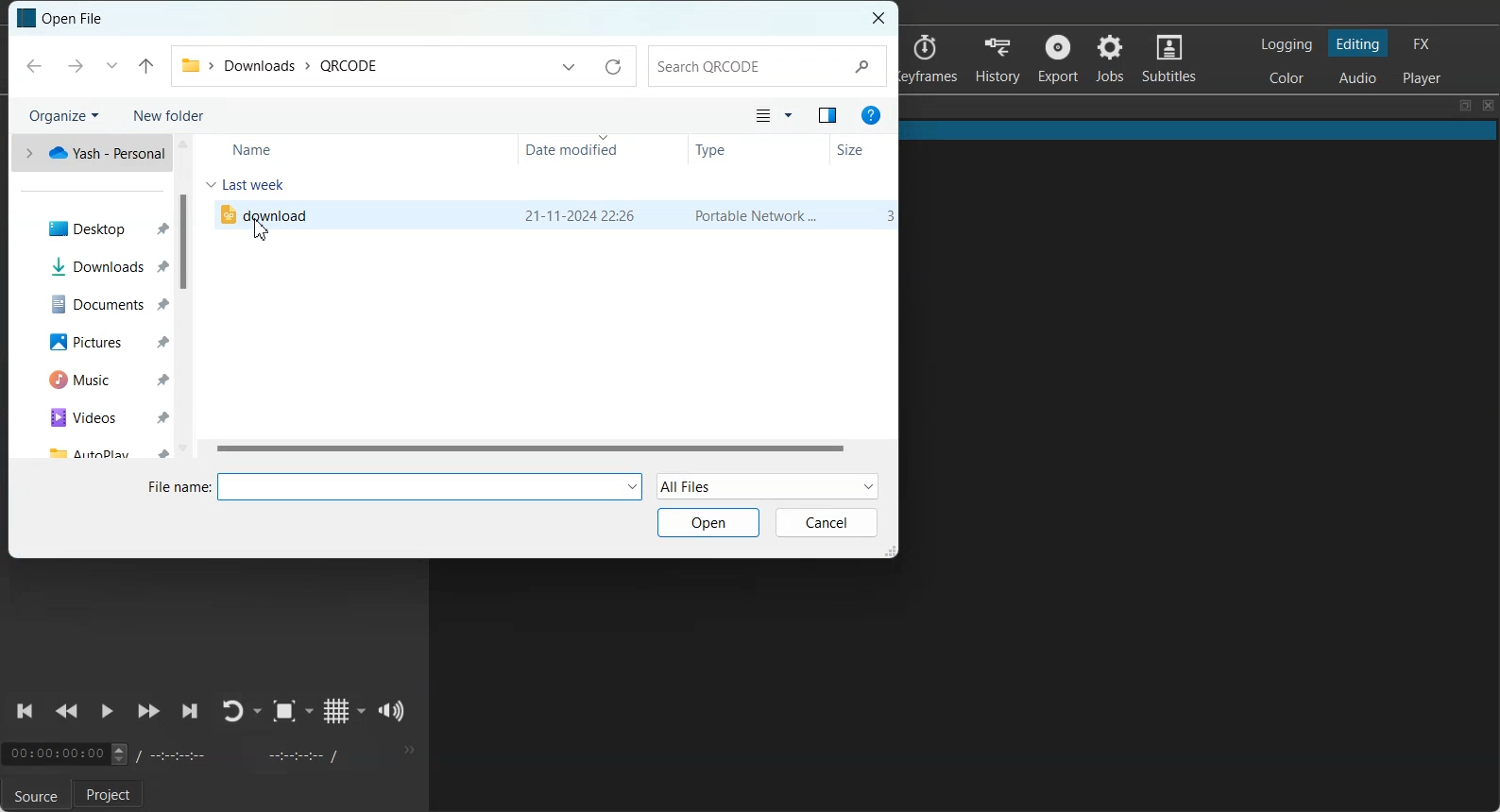 This screenshot has height=812, width=1500. What do you see at coordinates (264, 231) in the screenshot?
I see `cursor` at bounding box center [264, 231].